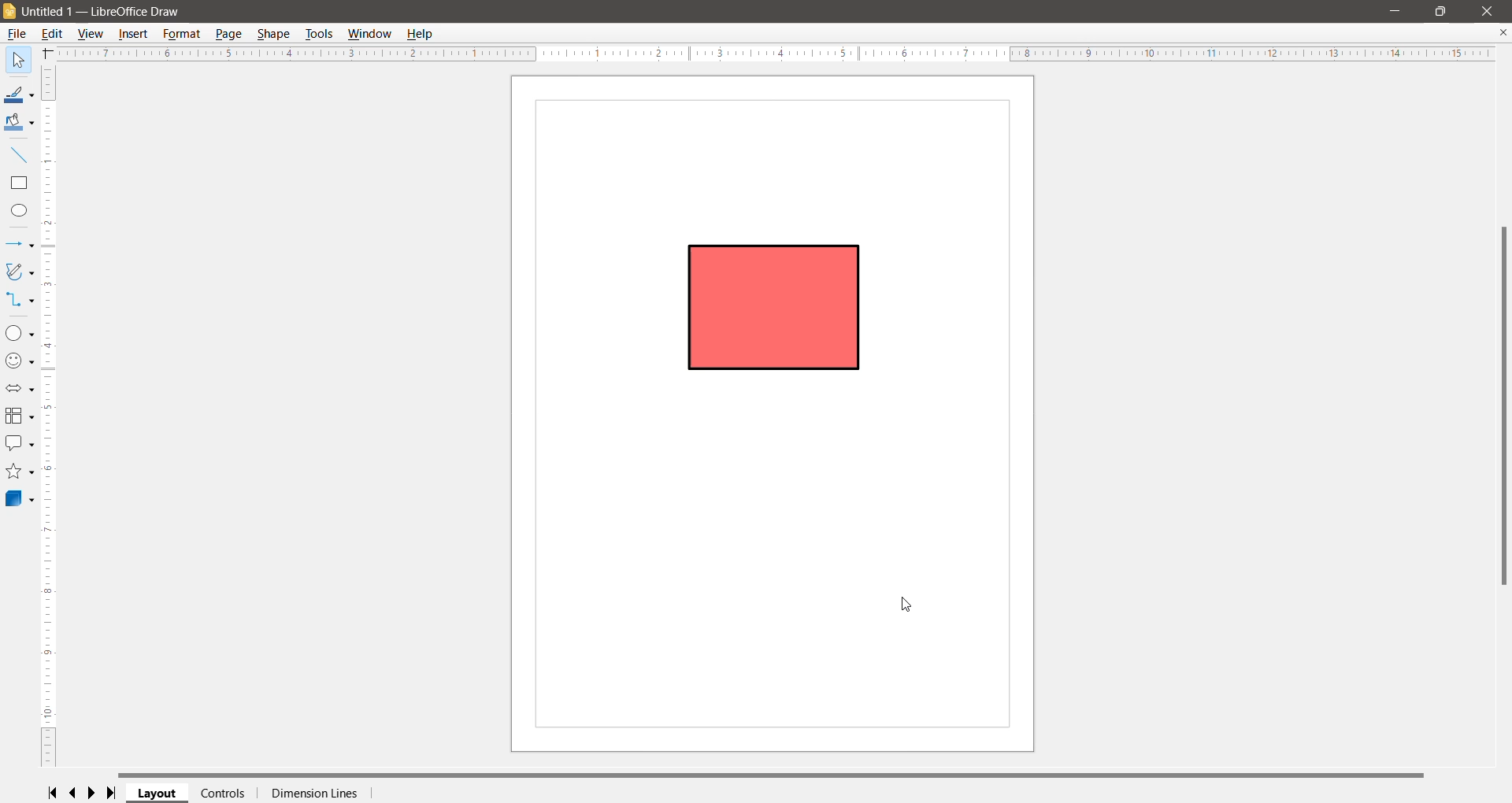  What do you see at coordinates (181, 34) in the screenshot?
I see `Format` at bounding box center [181, 34].